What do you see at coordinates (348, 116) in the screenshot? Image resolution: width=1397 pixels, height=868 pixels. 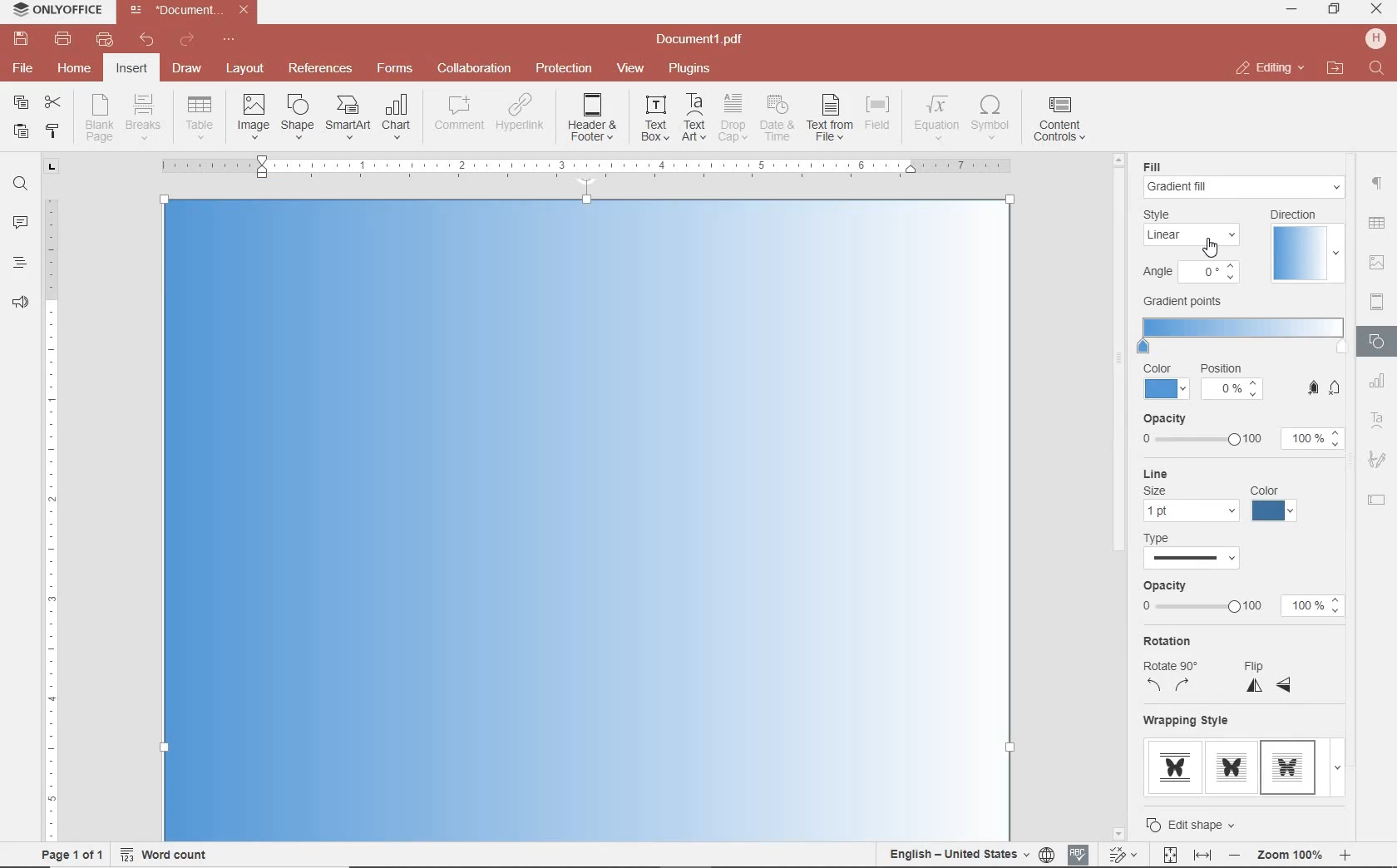 I see `INSERT SMART ART` at bounding box center [348, 116].